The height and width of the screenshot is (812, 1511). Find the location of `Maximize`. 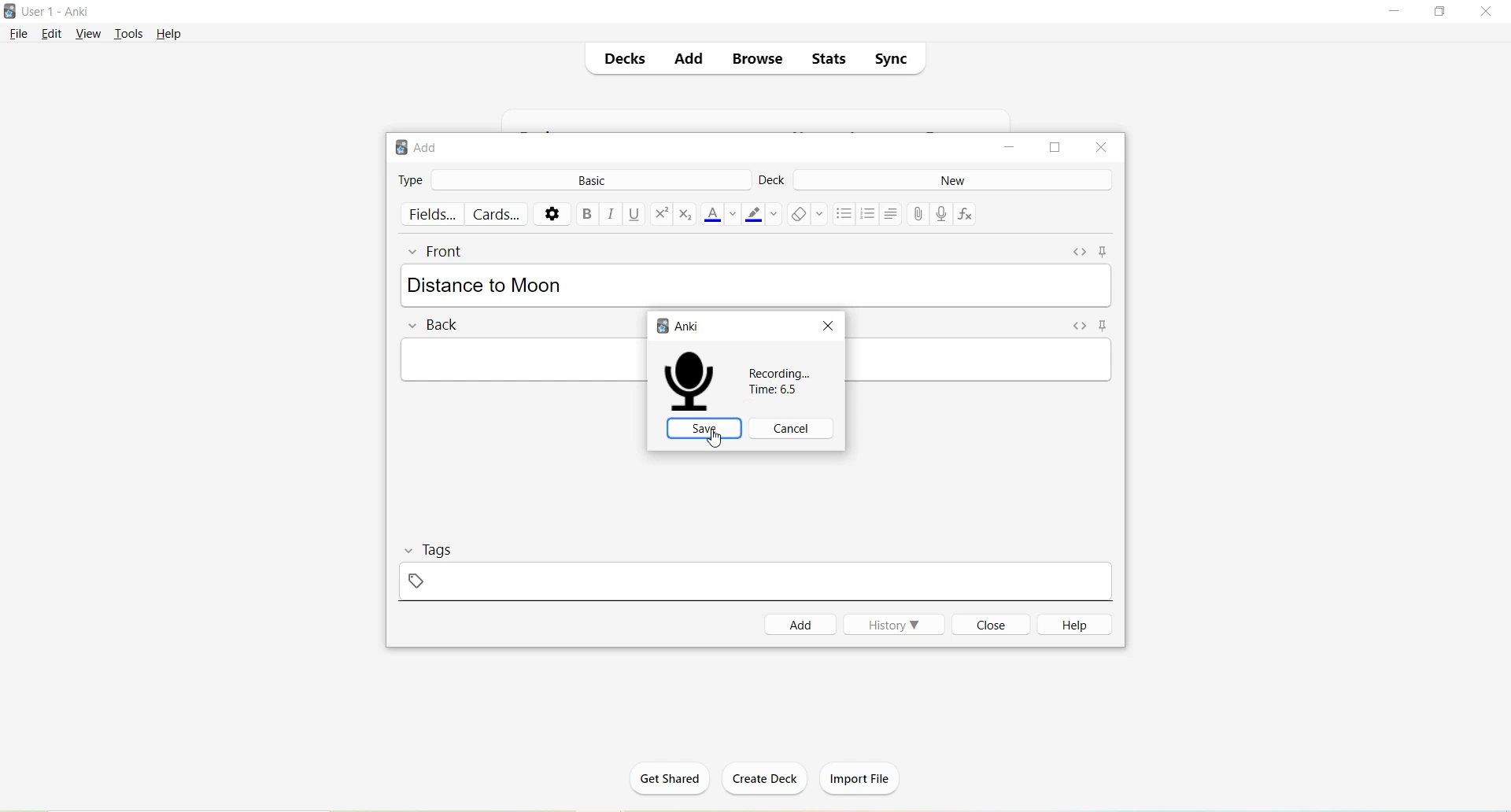

Maximize is located at coordinates (1440, 12).